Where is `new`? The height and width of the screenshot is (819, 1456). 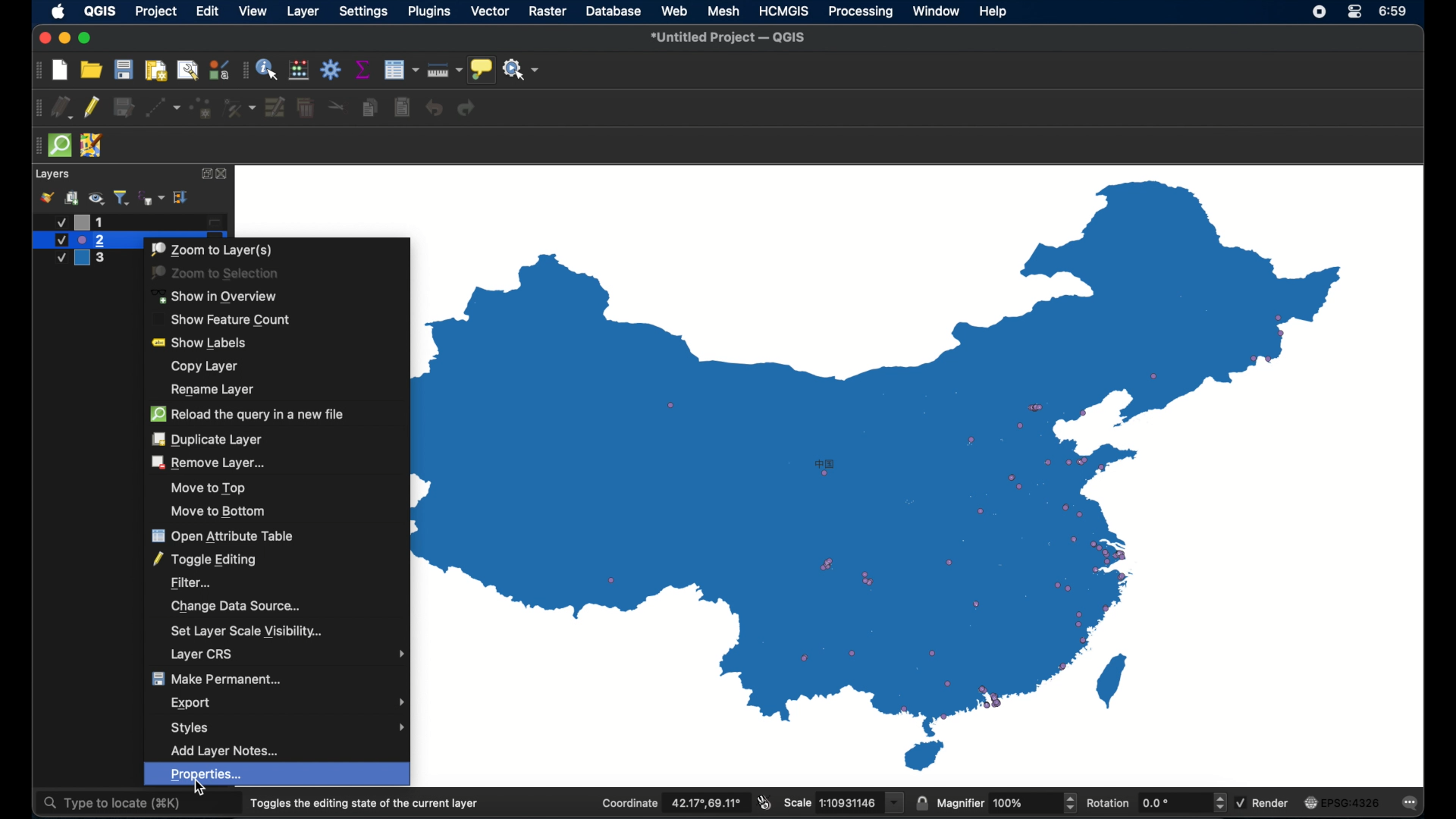 new is located at coordinates (59, 71).